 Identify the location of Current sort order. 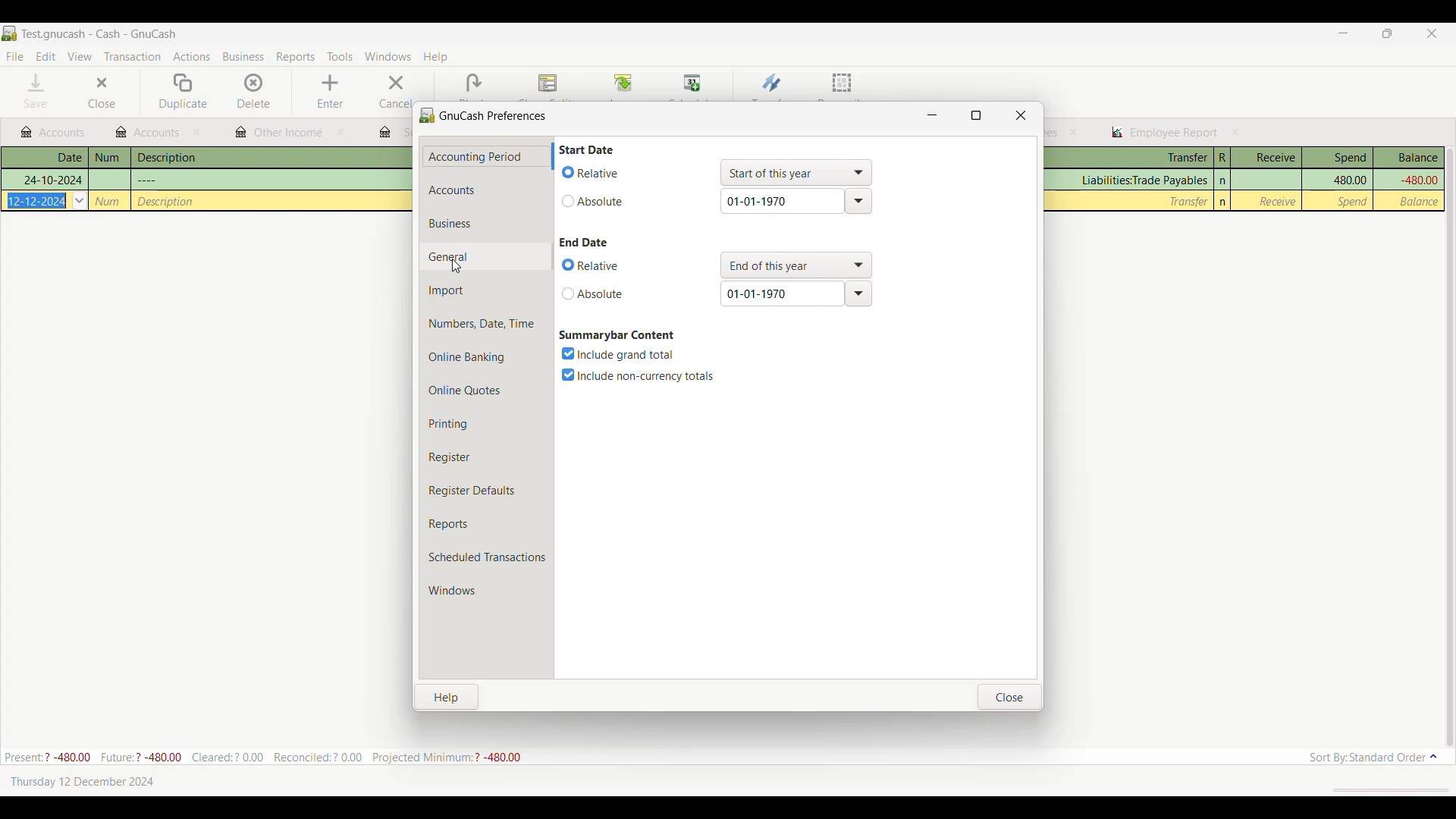
(1373, 758).